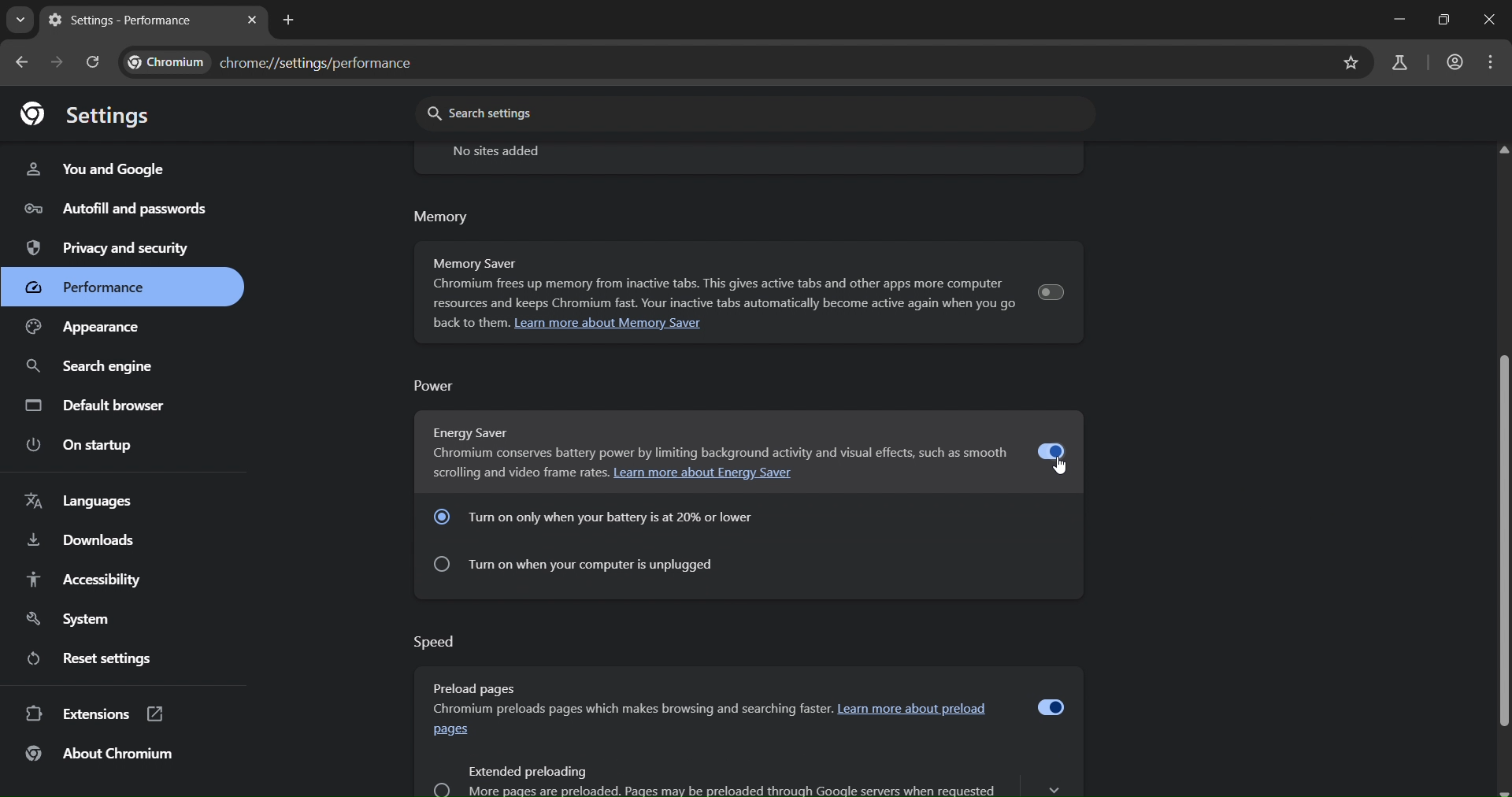 Image resolution: width=1512 pixels, height=797 pixels. What do you see at coordinates (93, 284) in the screenshot?
I see `performance` at bounding box center [93, 284].